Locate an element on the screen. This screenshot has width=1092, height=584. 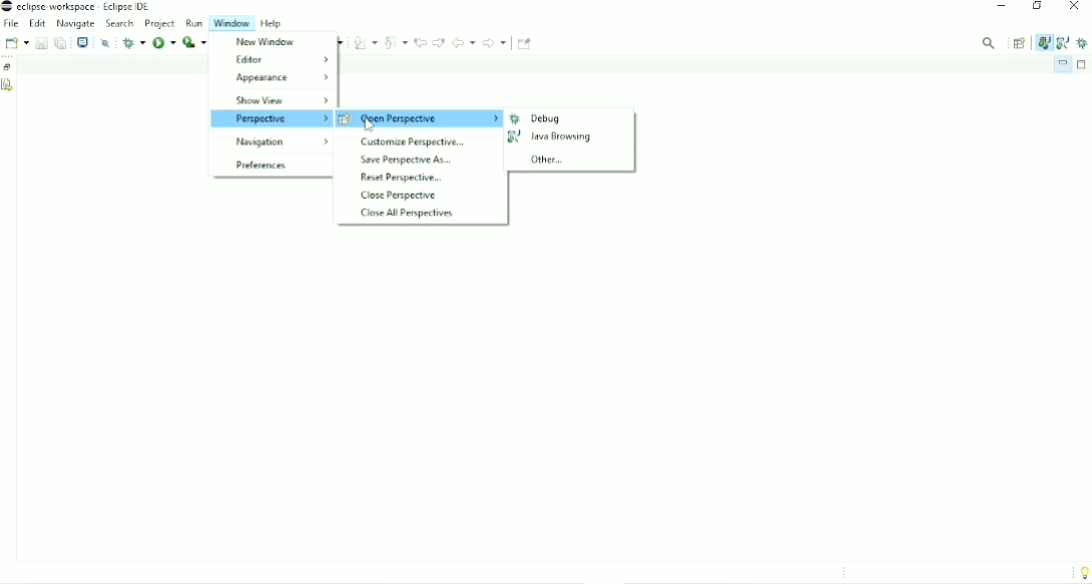
New window is located at coordinates (264, 42).